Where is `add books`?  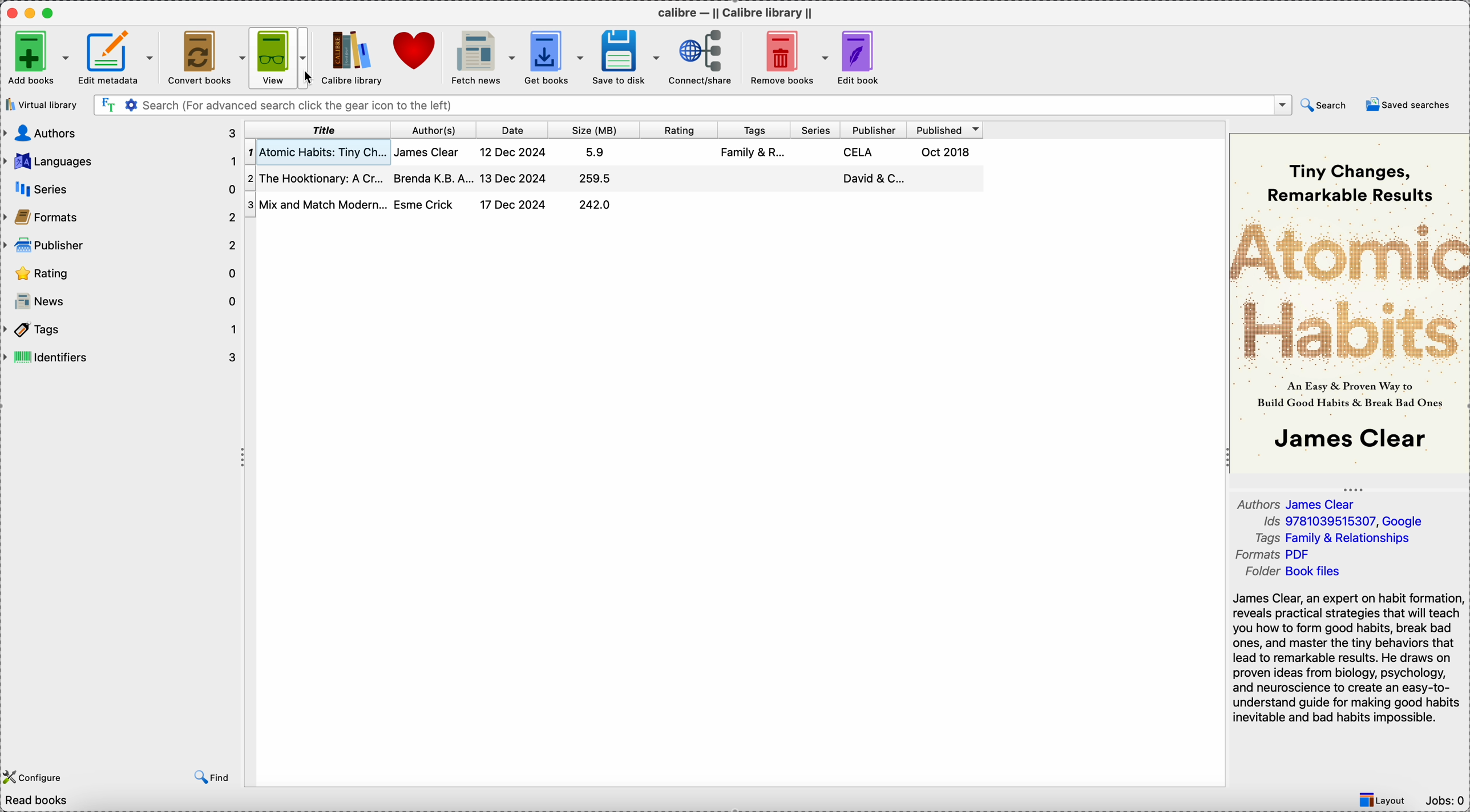
add books is located at coordinates (37, 56).